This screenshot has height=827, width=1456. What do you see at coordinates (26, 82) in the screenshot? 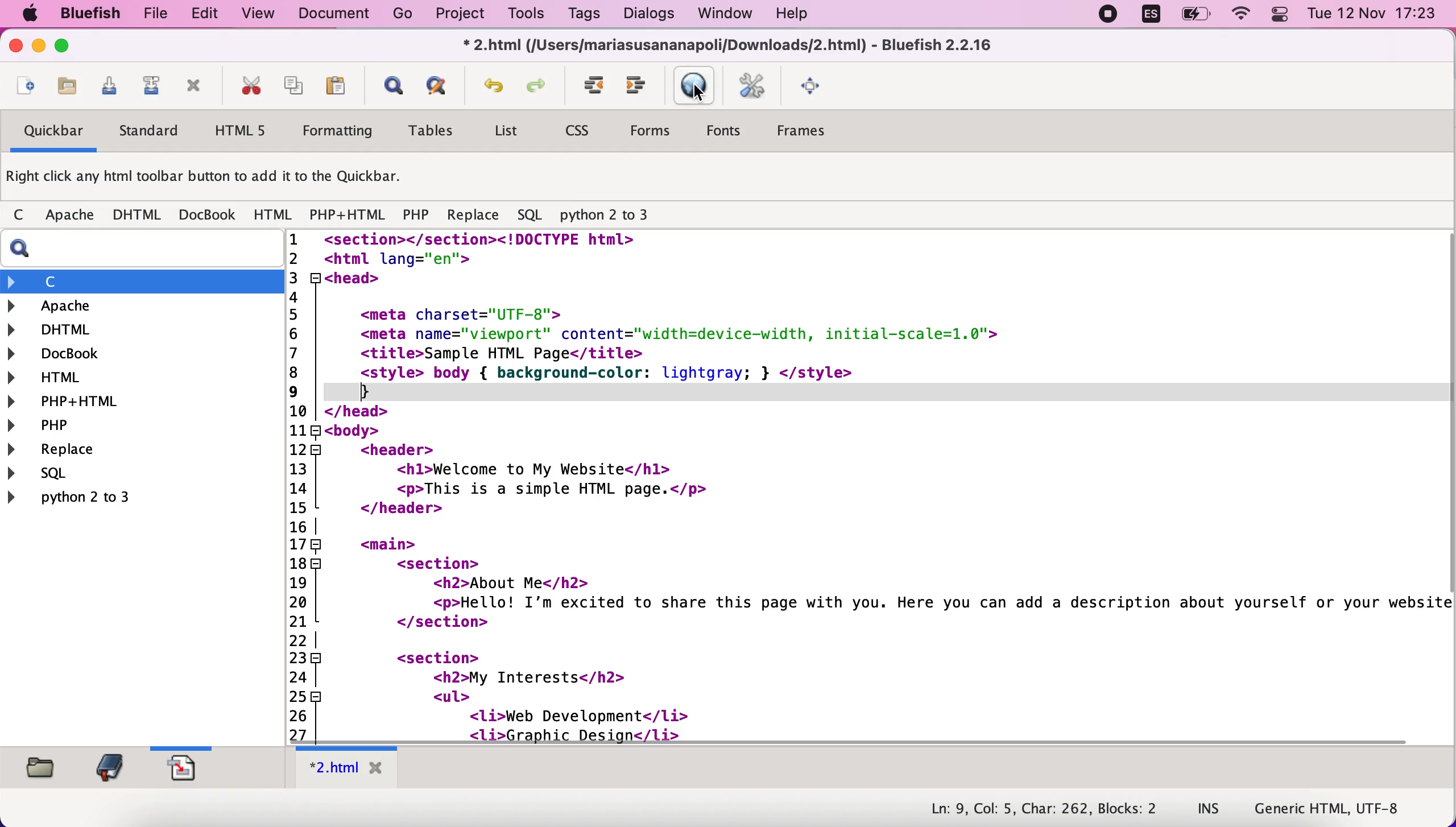
I see `new file` at bounding box center [26, 82].